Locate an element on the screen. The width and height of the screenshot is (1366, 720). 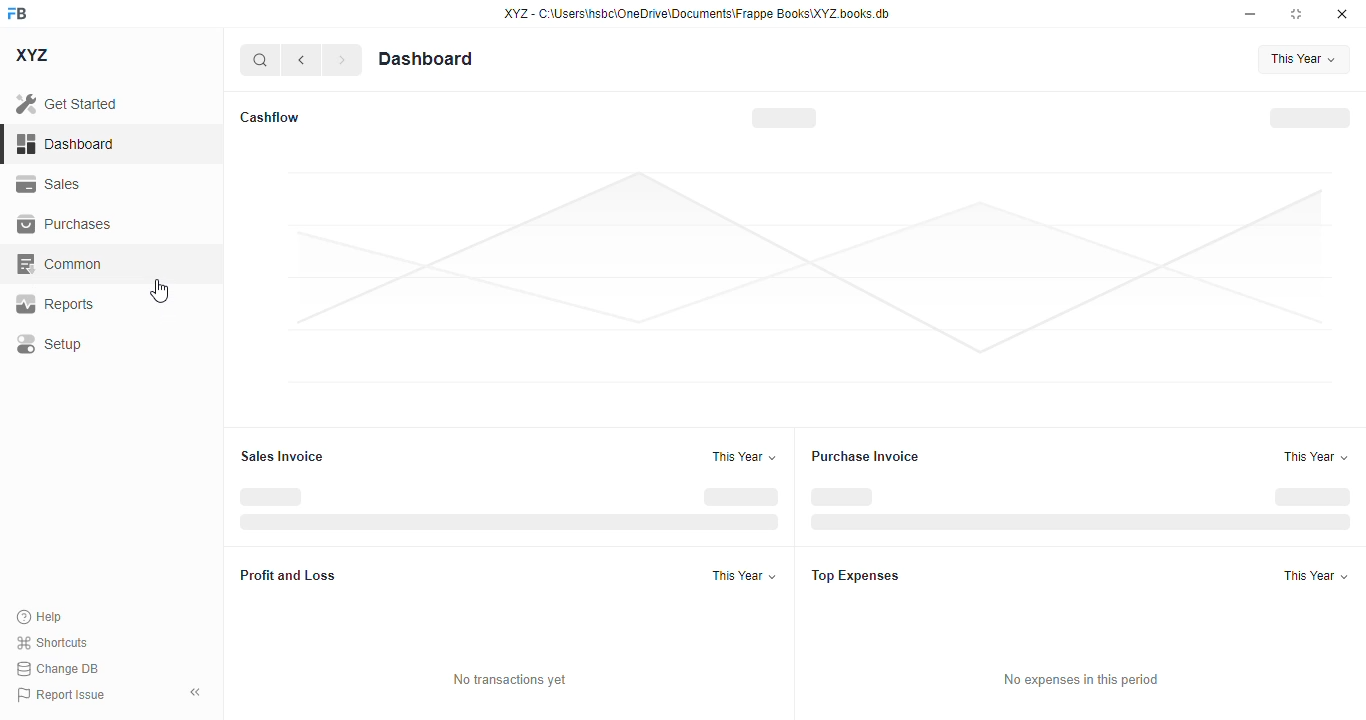
close is located at coordinates (1342, 13).